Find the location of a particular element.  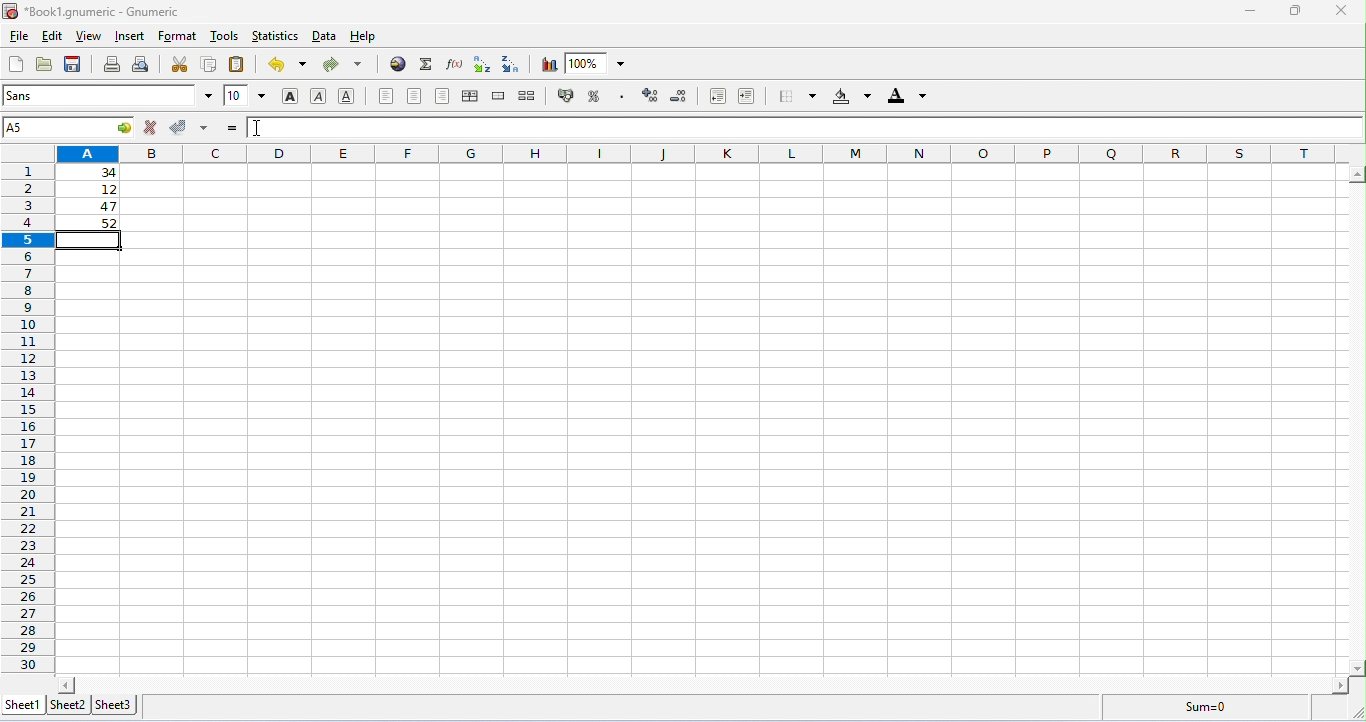

print preview is located at coordinates (142, 64).